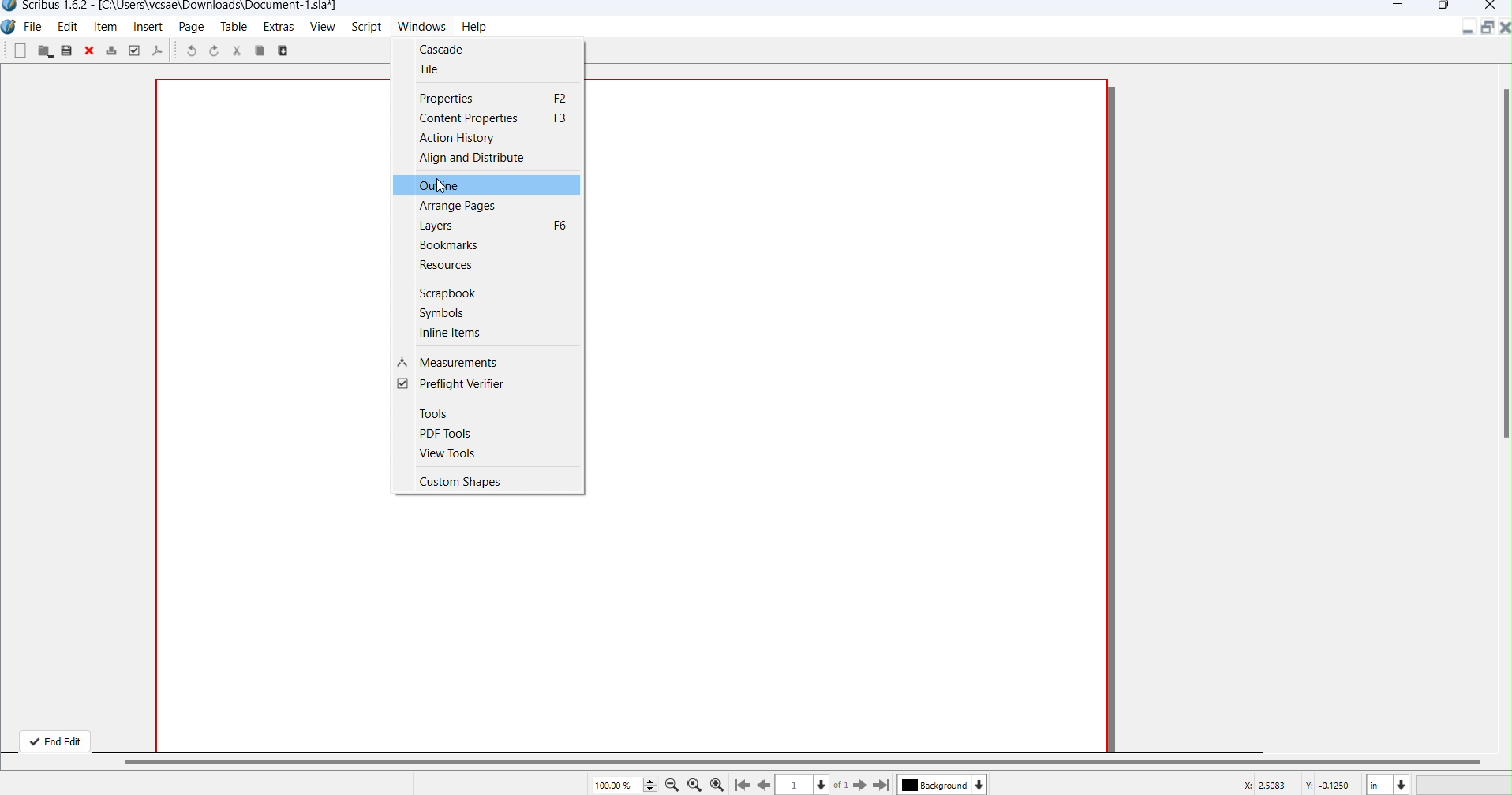 This screenshot has height=795, width=1512. I want to click on End Edit, so click(54, 739).